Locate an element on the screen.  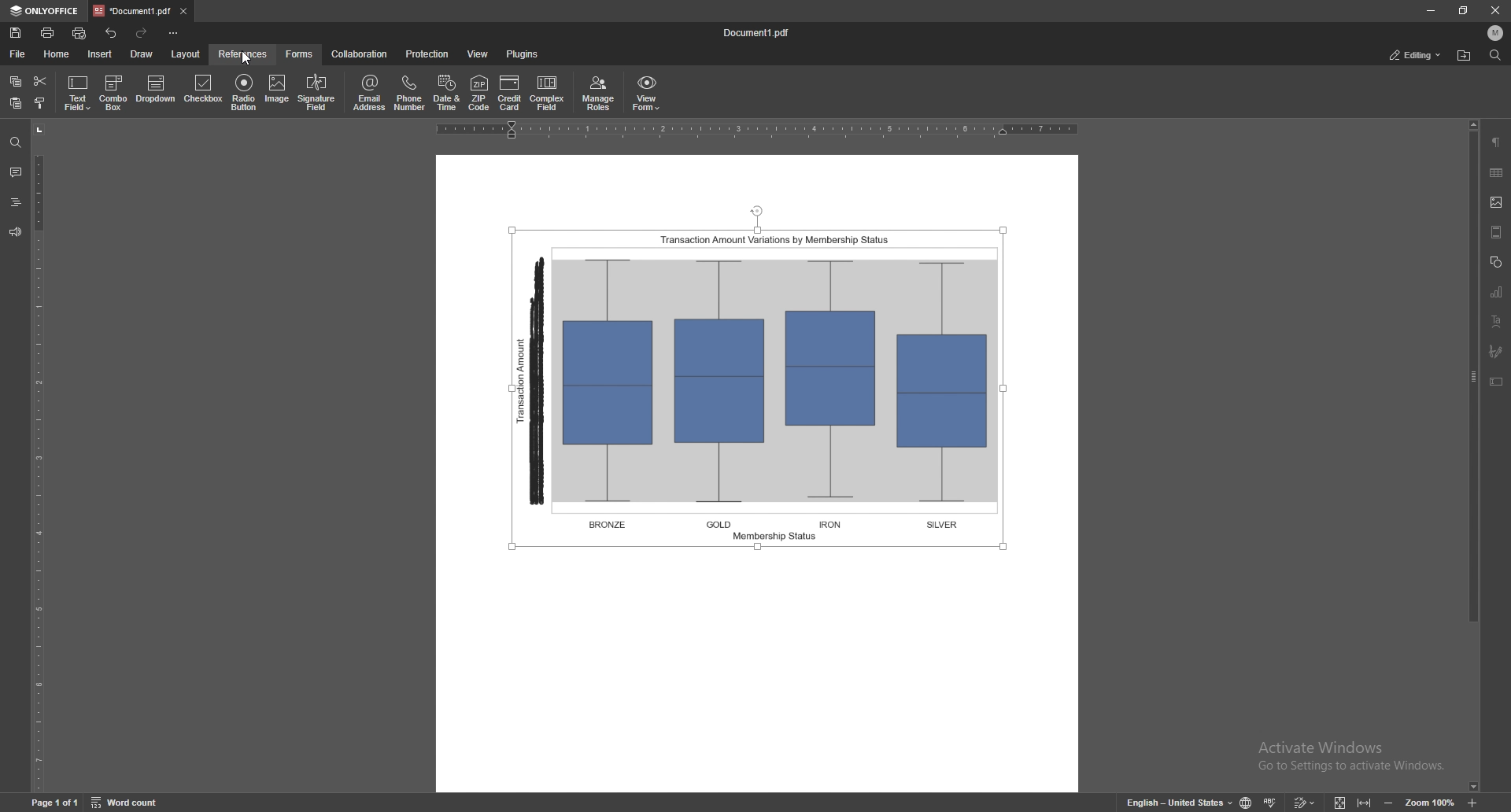
onlyoffice is located at coordinates (46, 10).